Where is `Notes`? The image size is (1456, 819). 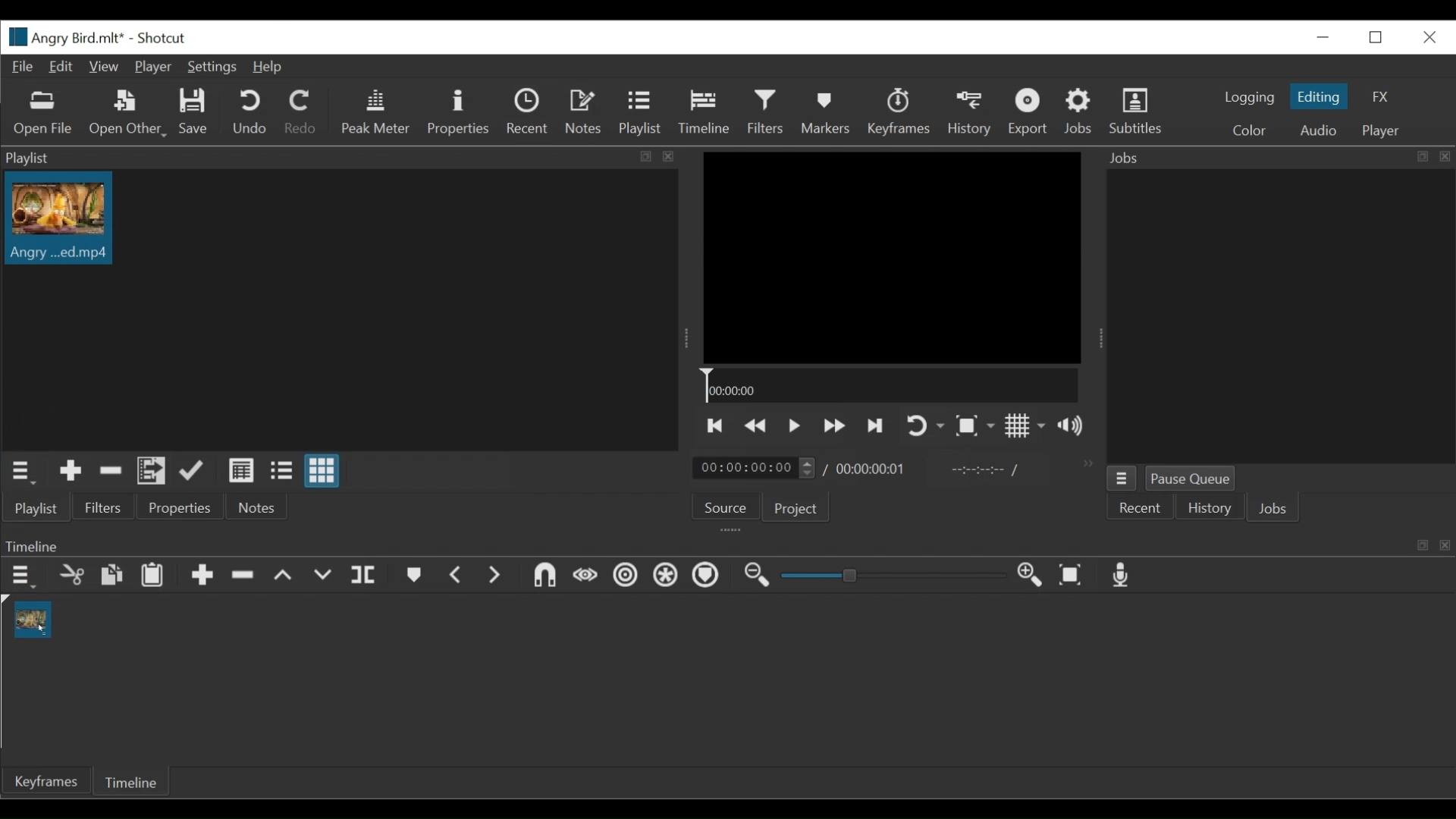
Notes is located at coordinates (254, 507).